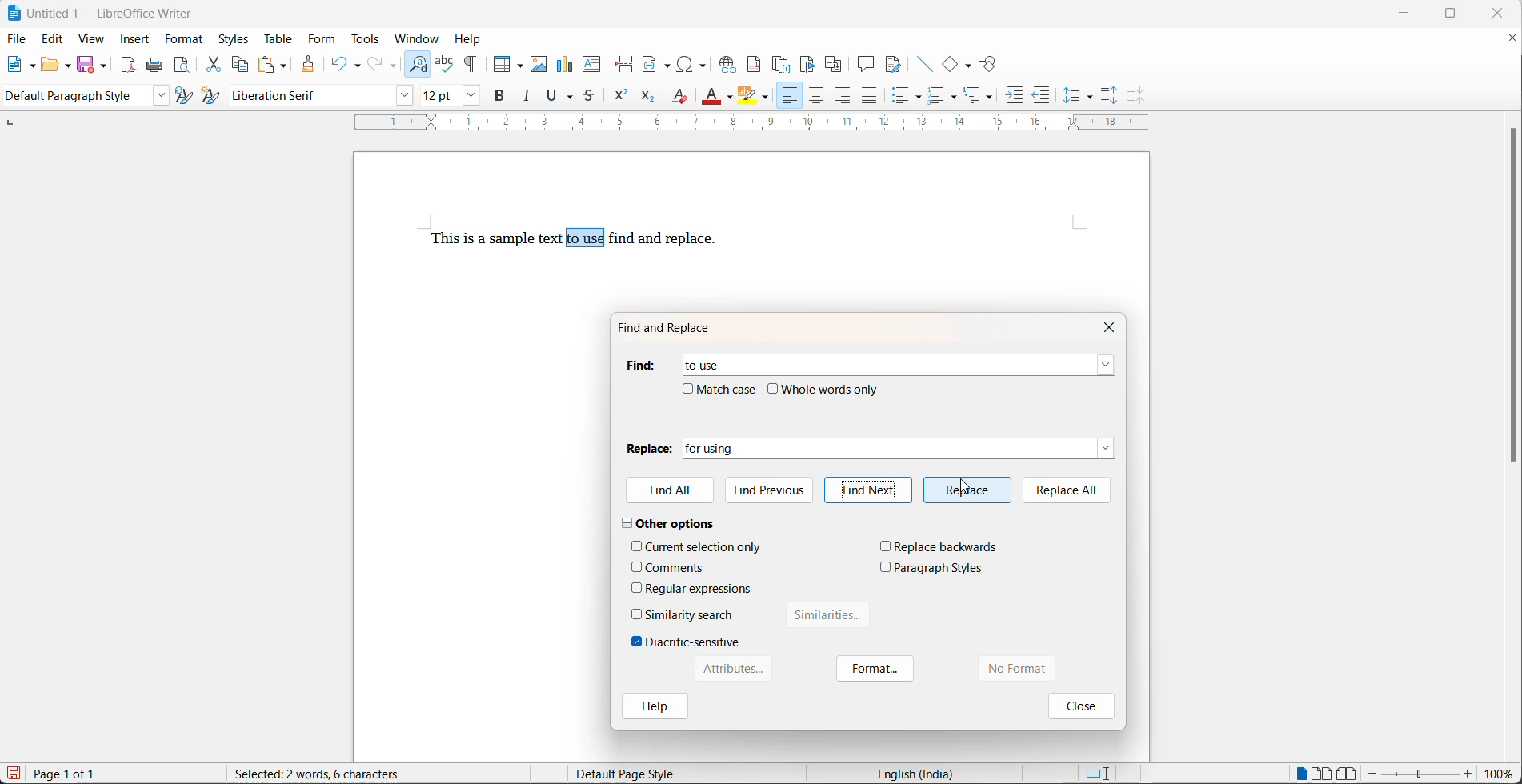 This screenshot has width=1522, height=784. I want to click on styles, so click(234, 38).